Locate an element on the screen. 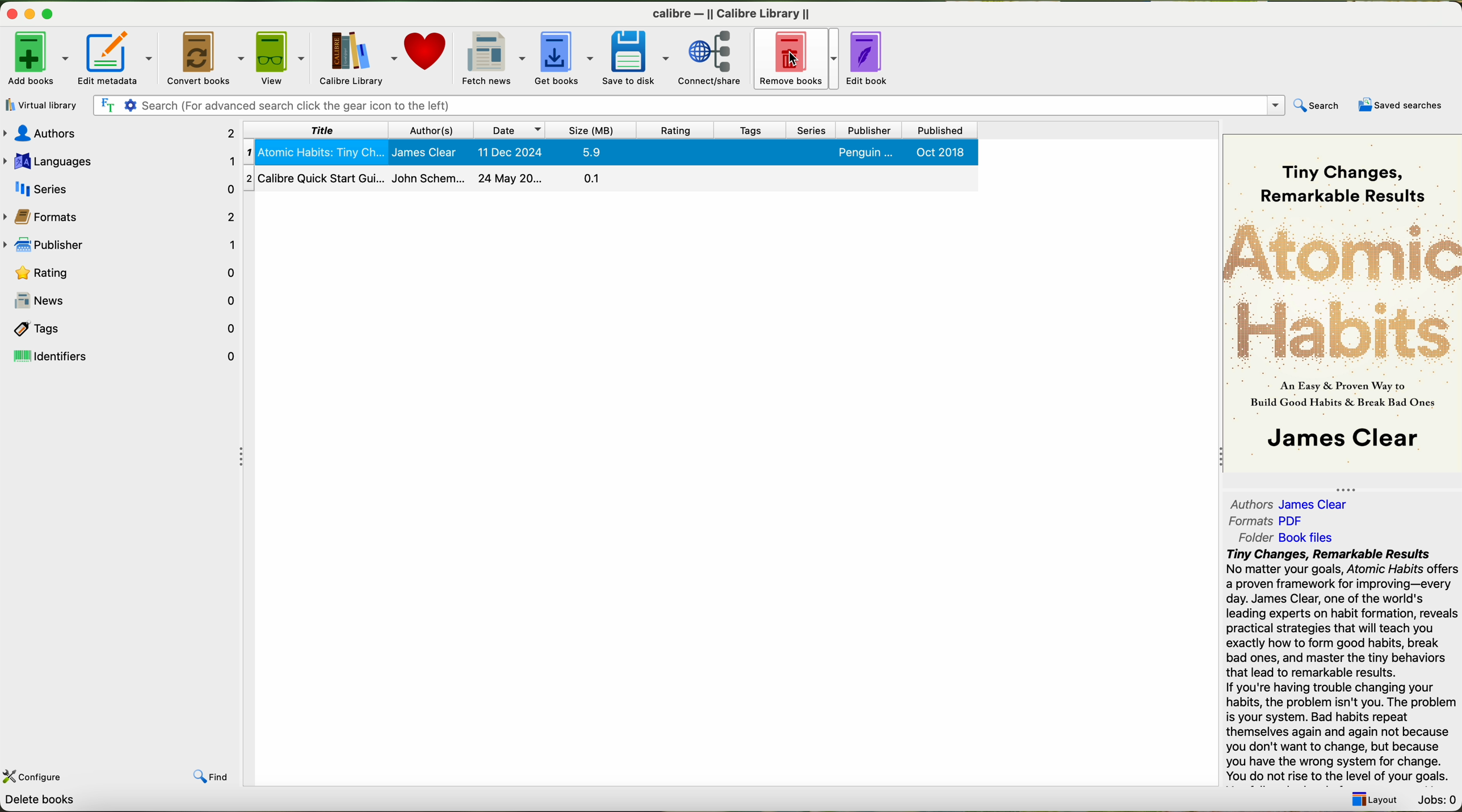  news is located at coordinates (123, 297).